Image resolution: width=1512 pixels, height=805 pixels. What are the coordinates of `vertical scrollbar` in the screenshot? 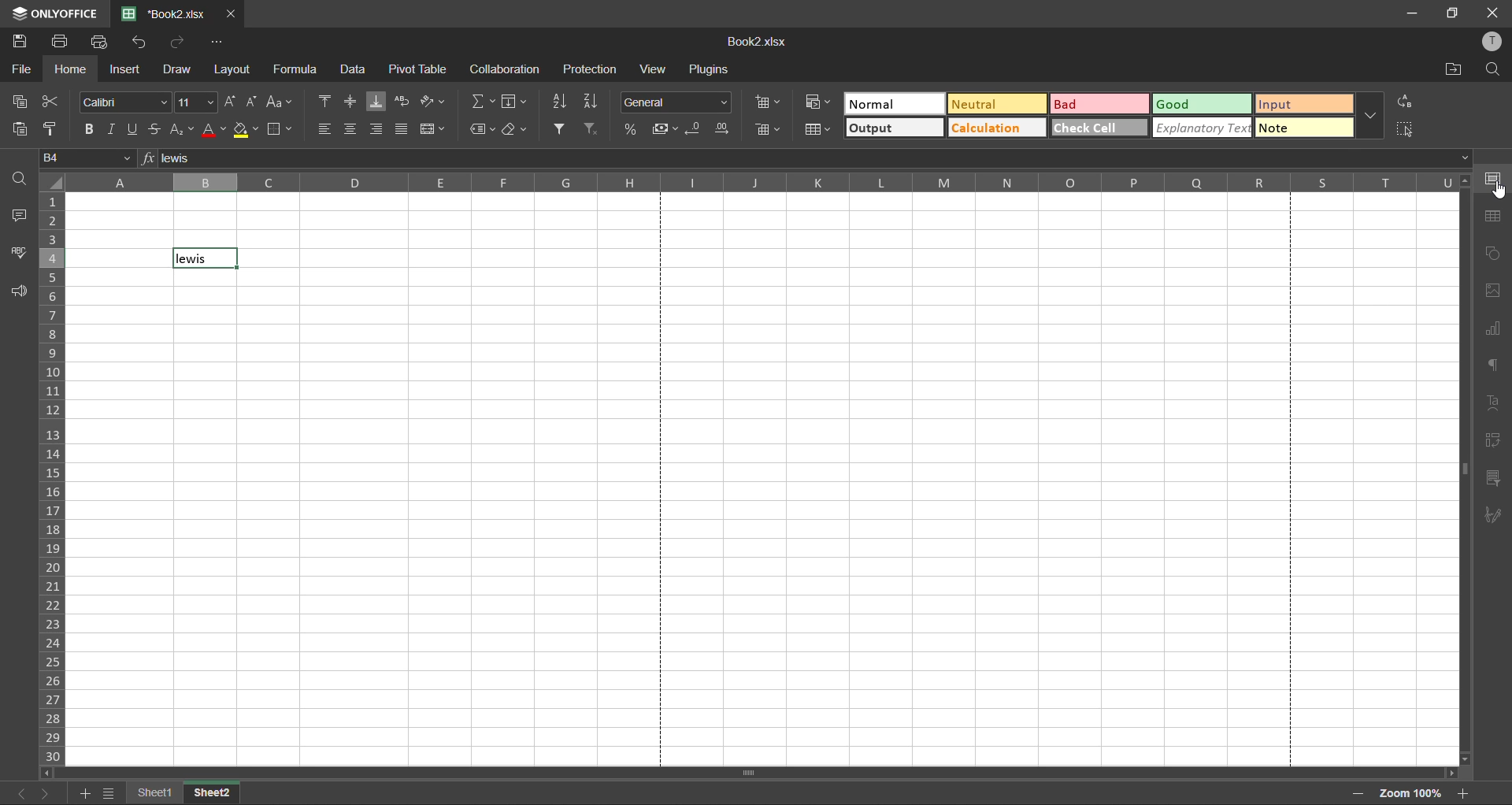 It's located at (1465, 471).